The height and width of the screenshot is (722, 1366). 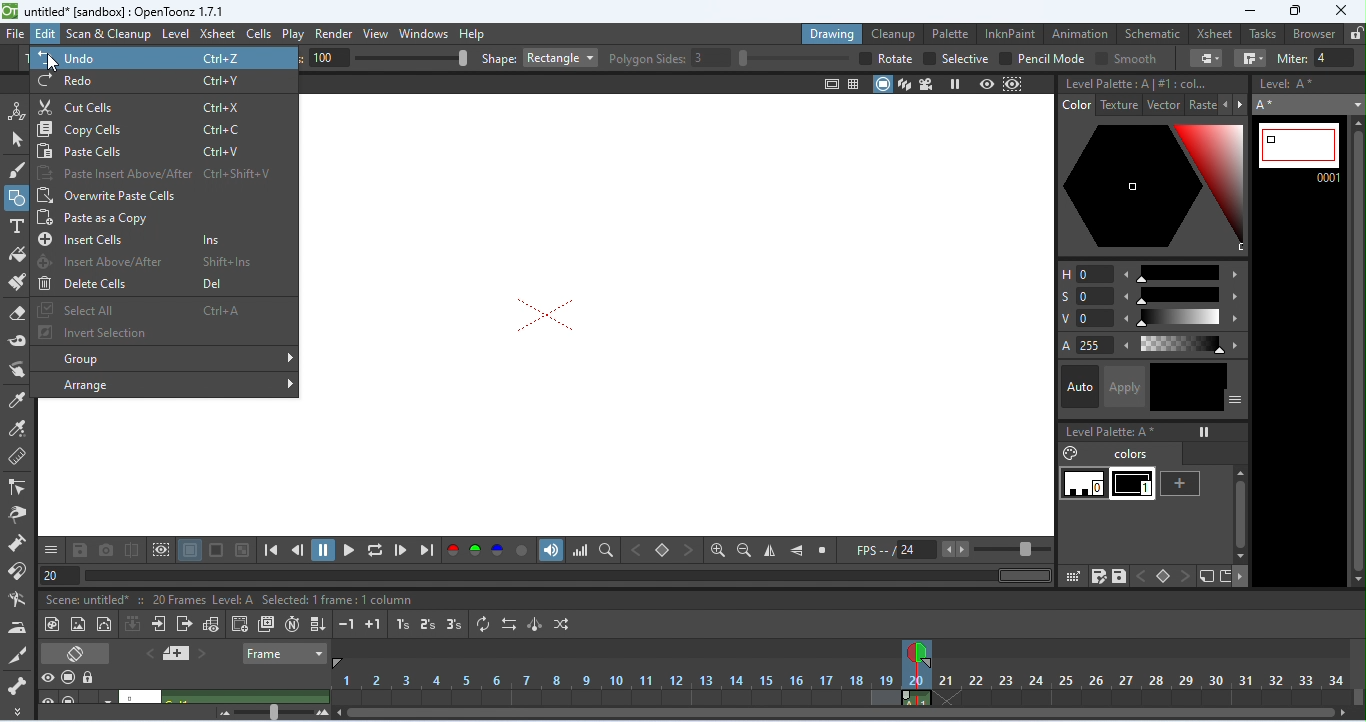 I want to click on vector, so click(x=1165, y=104).